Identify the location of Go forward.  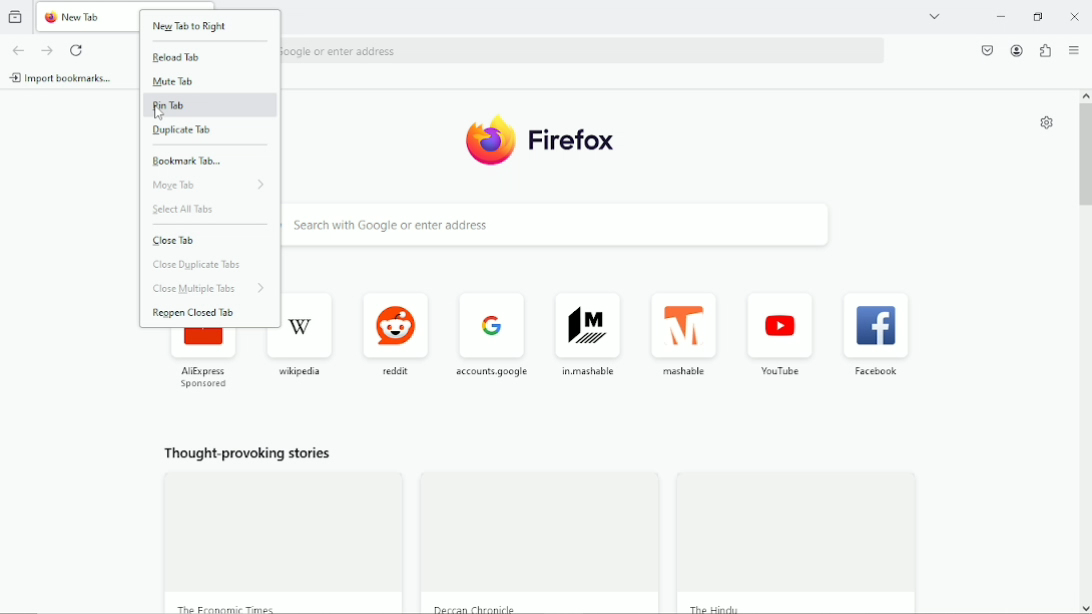
(47, 50).